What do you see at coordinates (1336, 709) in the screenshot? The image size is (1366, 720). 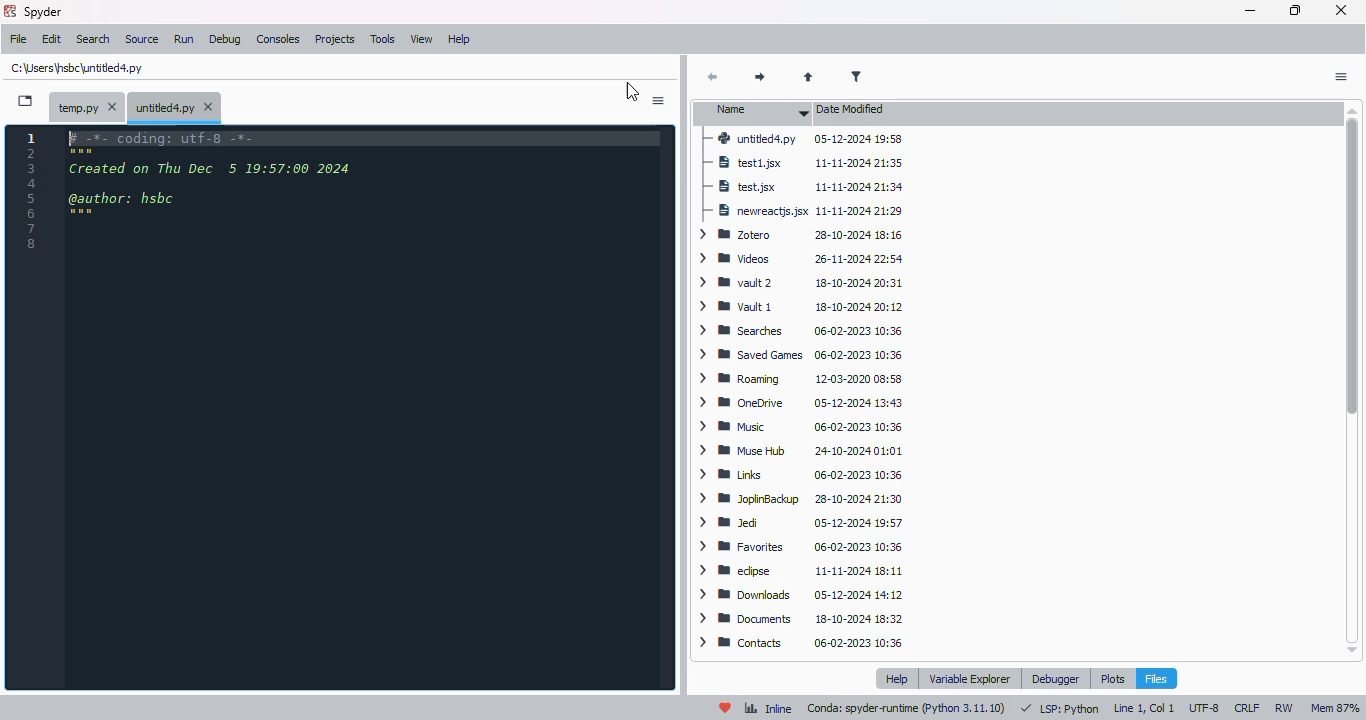 I see `Mem 87%` at bounding box center [1336, 709].